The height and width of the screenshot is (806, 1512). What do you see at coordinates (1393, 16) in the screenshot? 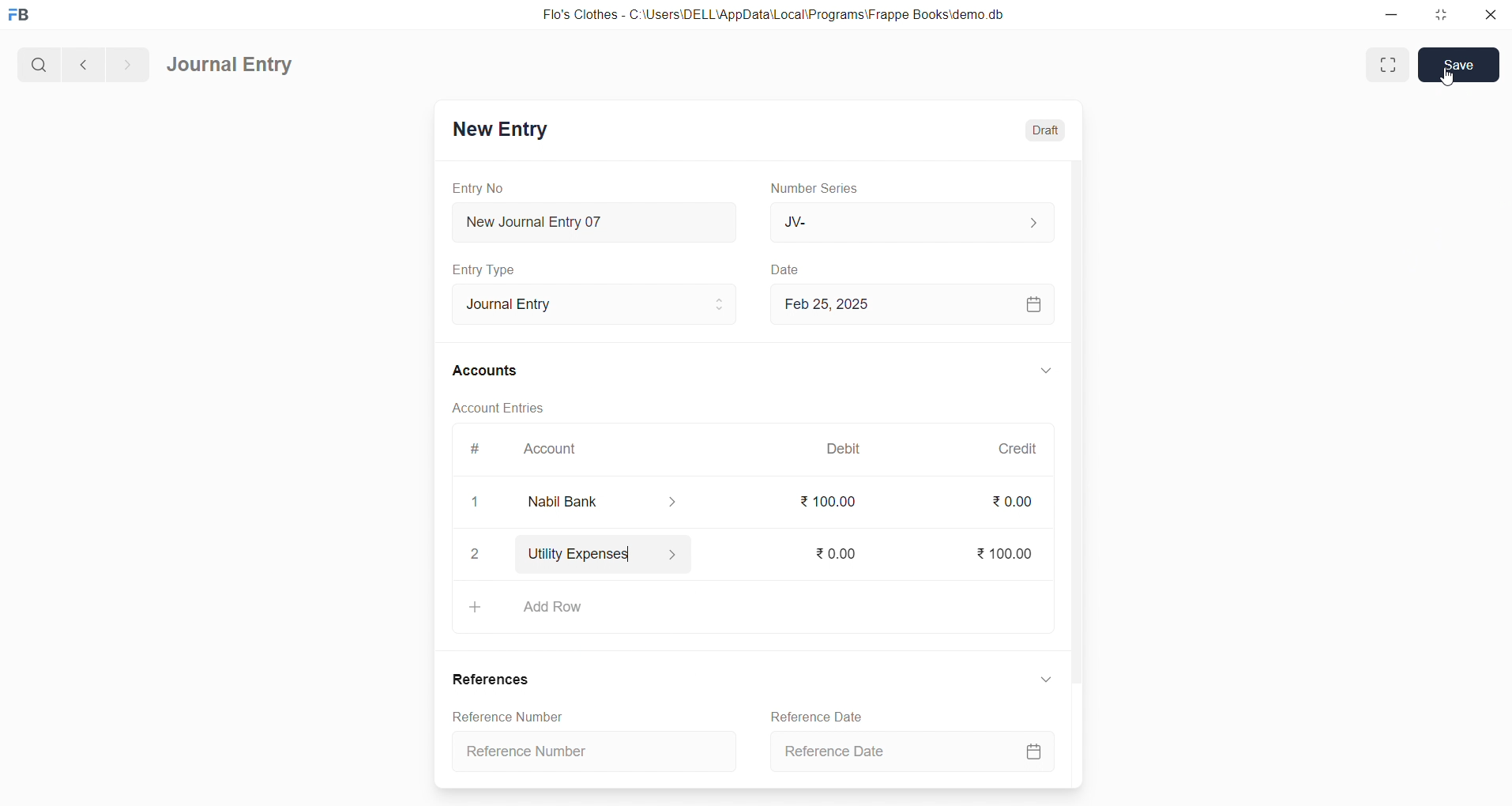
I see `minimize` at bounding box center [1393, 16].